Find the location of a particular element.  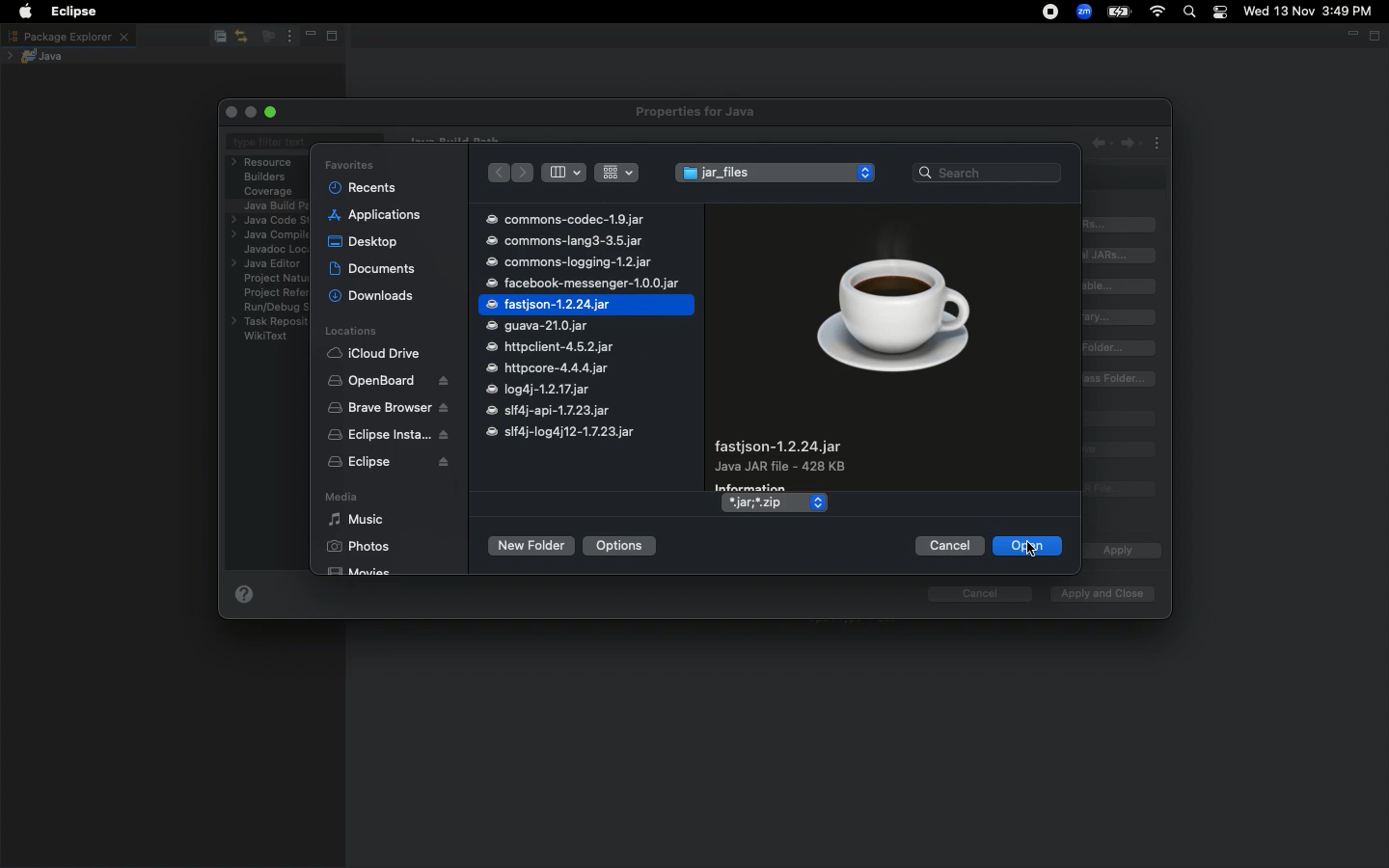

Add external JAR is located at coordinates (1120, 255).